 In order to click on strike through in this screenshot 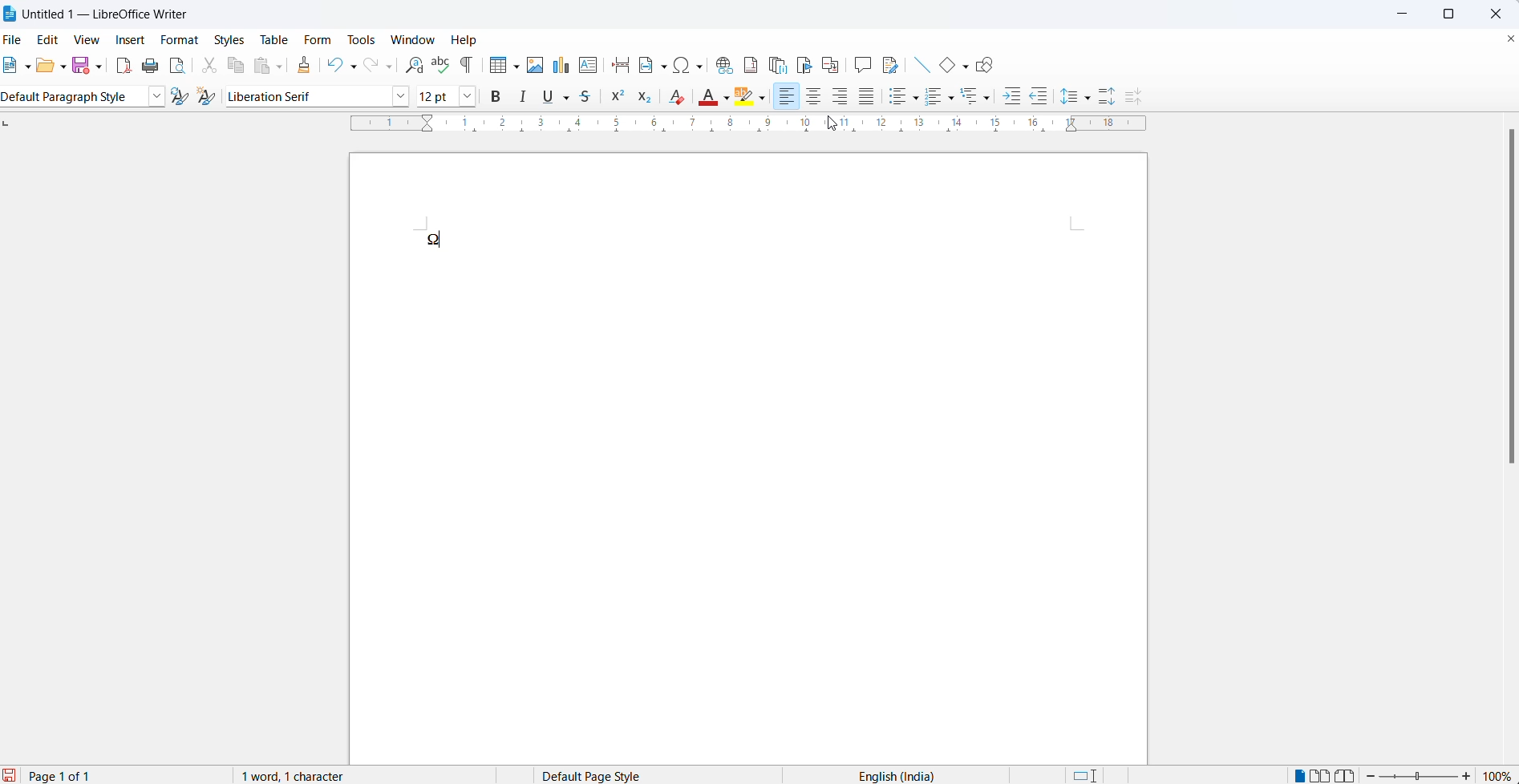, I will do `click(591, 98)`.